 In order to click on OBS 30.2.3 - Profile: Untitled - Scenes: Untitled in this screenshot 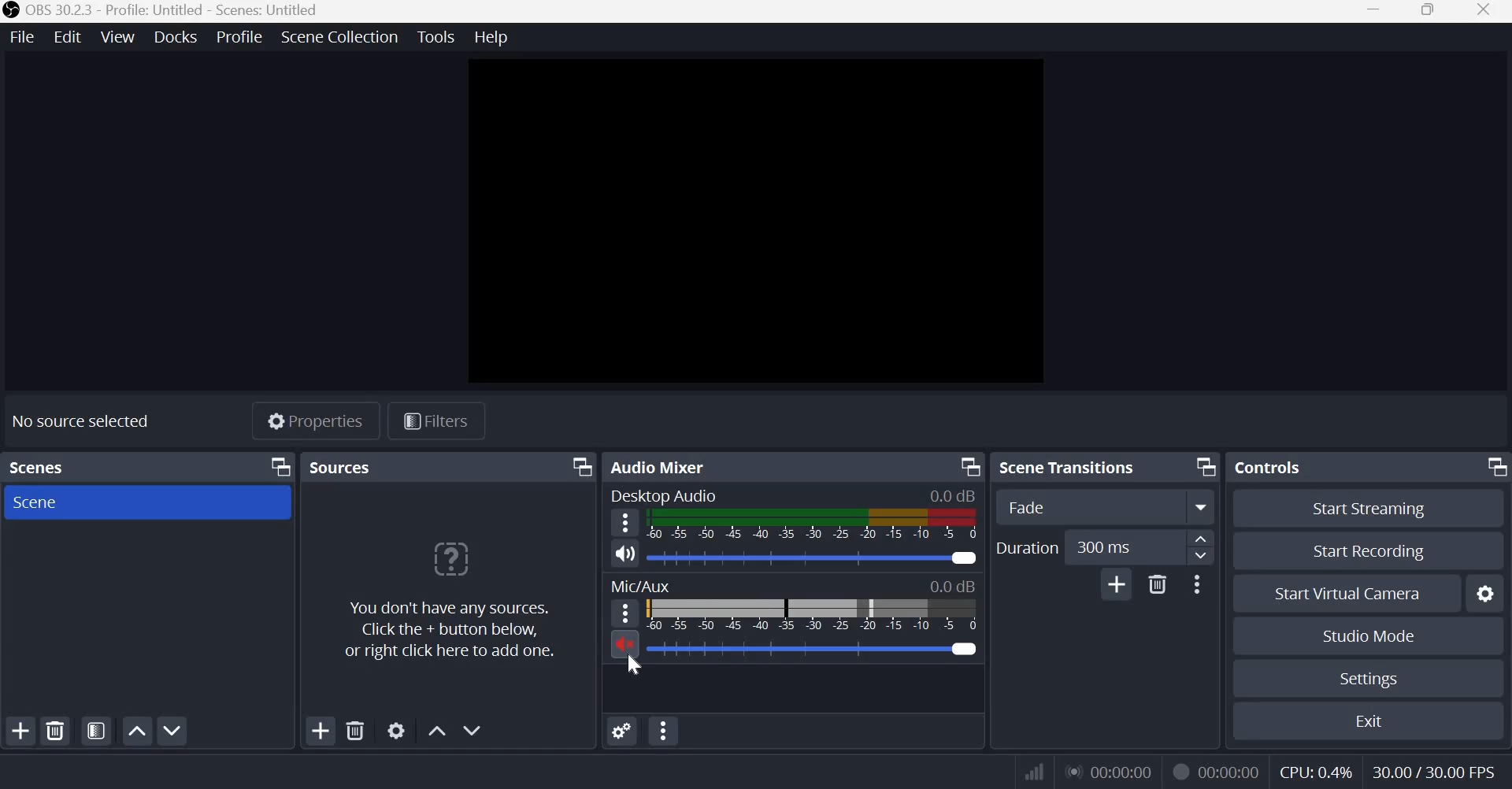, I will do `click(165, 10)`.